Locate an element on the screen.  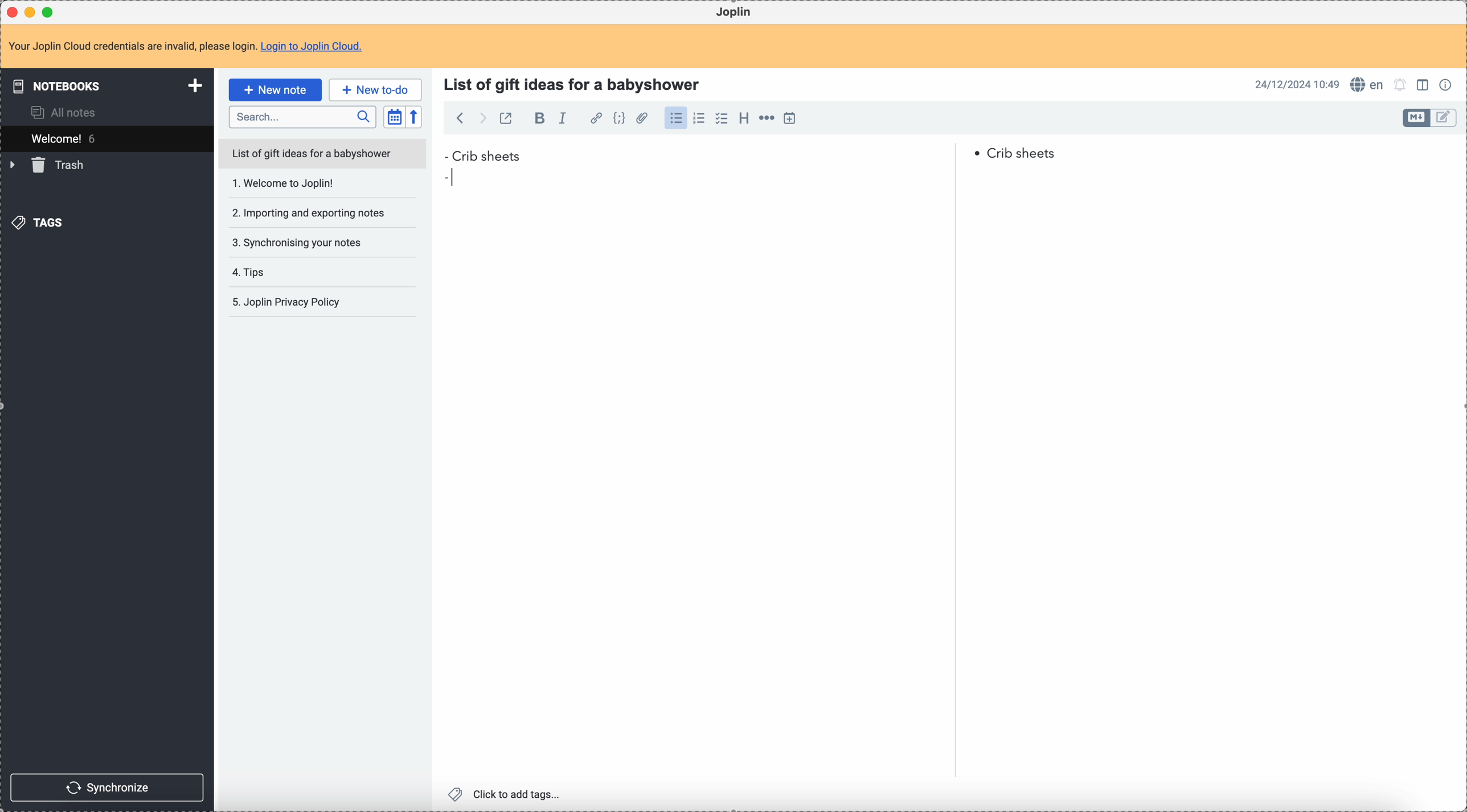
hyperlink is located at coordinates (596, 119).